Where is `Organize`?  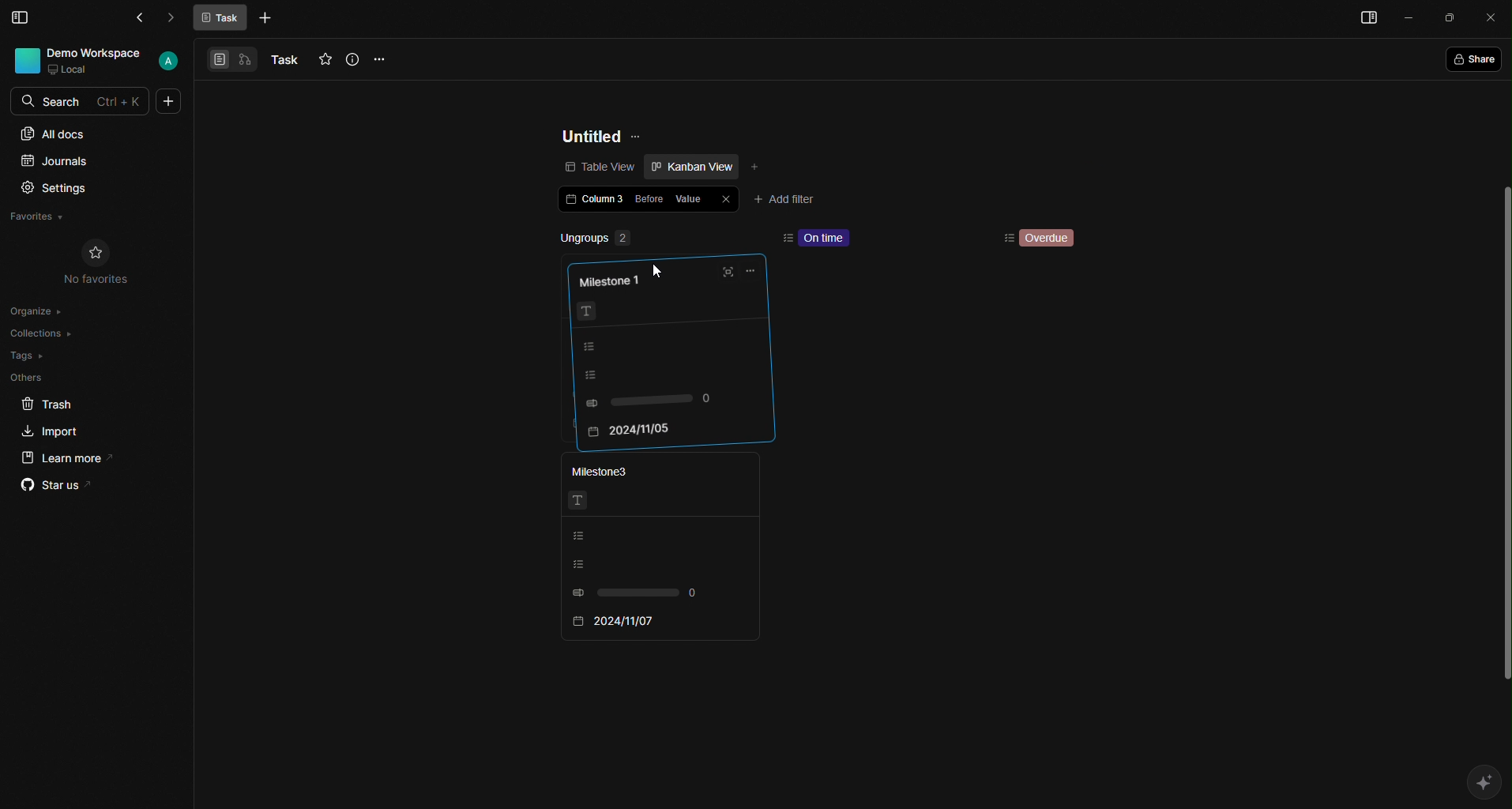
Organize is located at coordinates (41, 310).